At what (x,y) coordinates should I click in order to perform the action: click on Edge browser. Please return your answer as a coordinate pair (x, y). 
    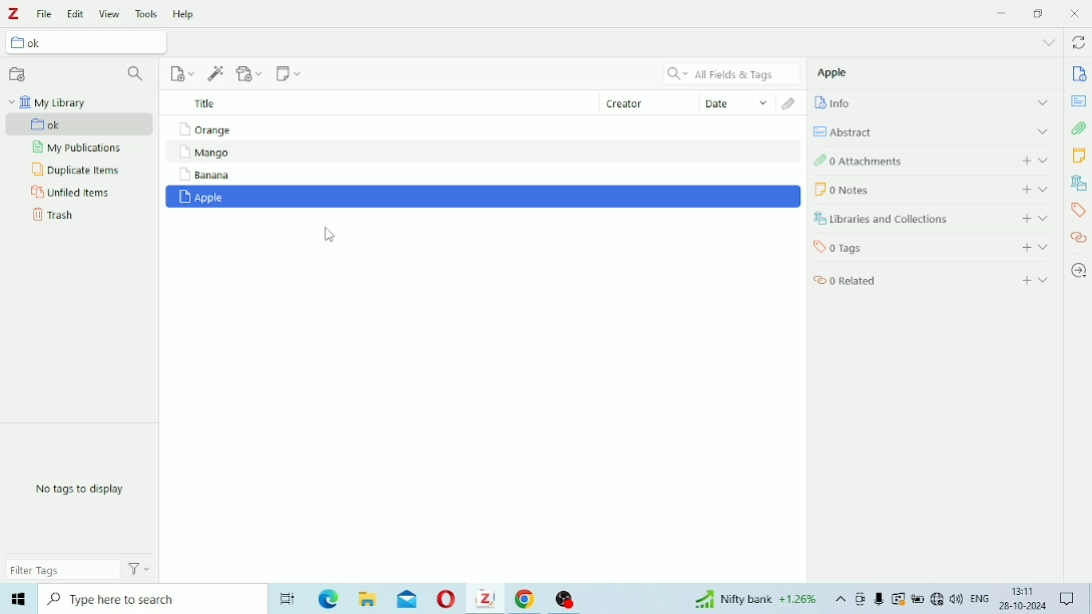
    Looking at the image, I should click on (326, 601).